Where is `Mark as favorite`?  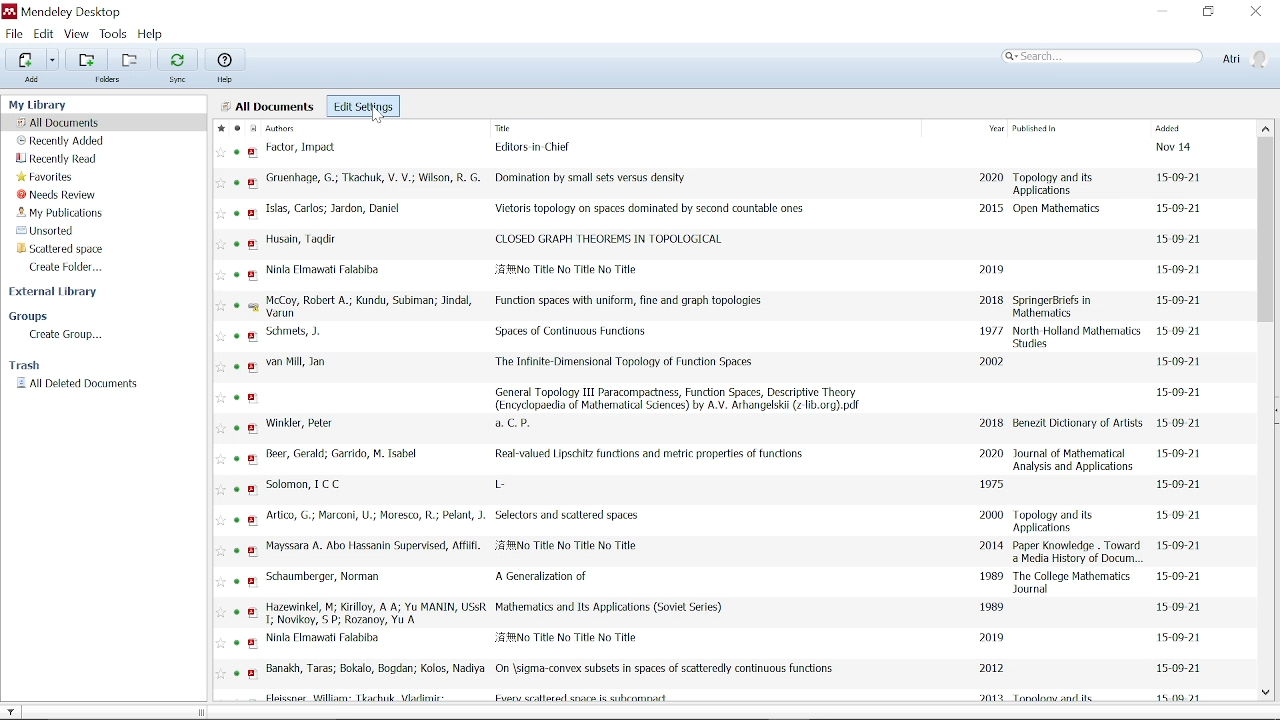
Mark as favorite is located at coordinates (220, 129).